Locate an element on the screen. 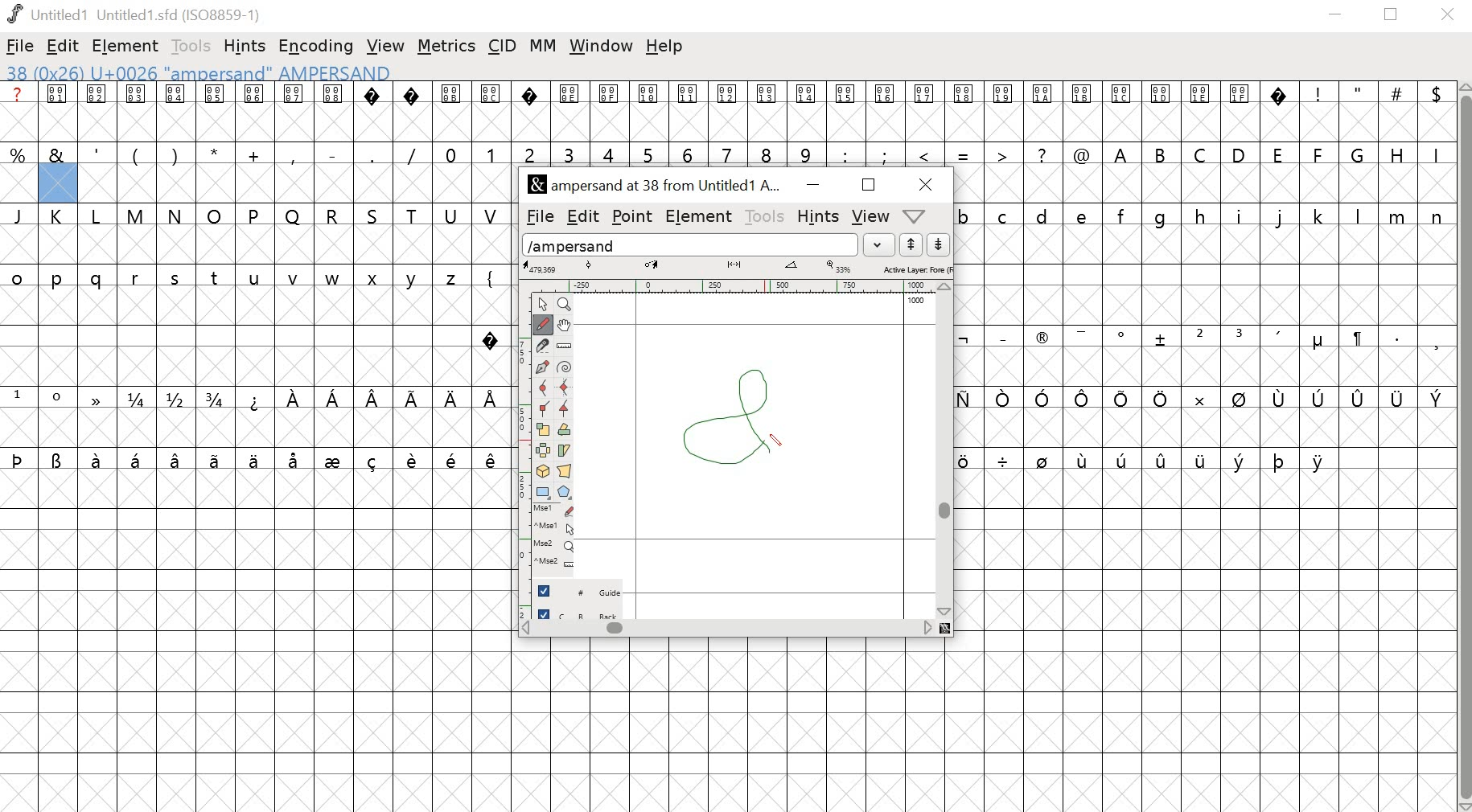  # is located at coordinates (1397, 113).